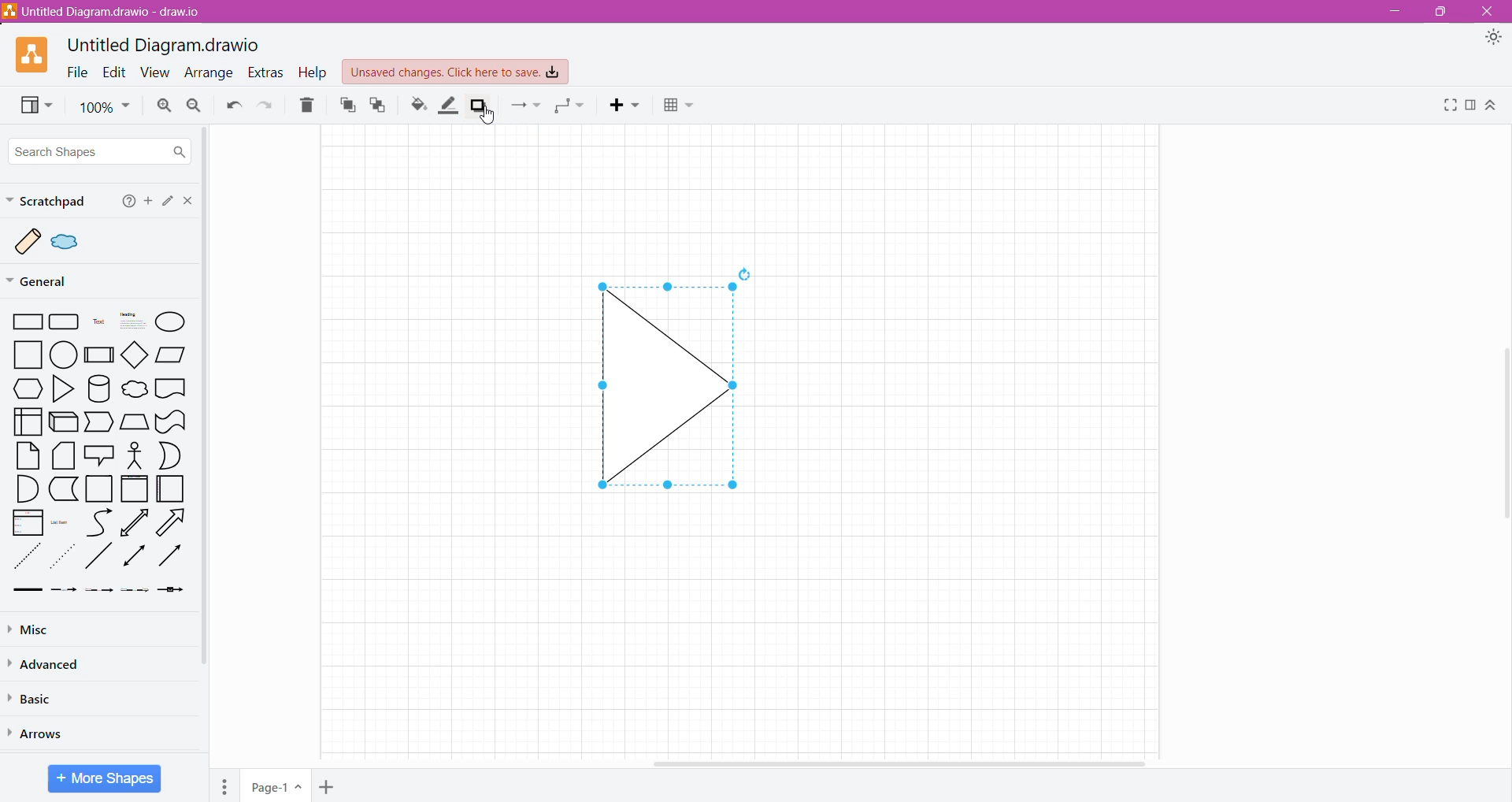 The height and width of the screenshot is (802, 1512). Describe the element at coordinates (1503, 436) in the screenshot. I see `Vertical Scroll Bar` at that location.